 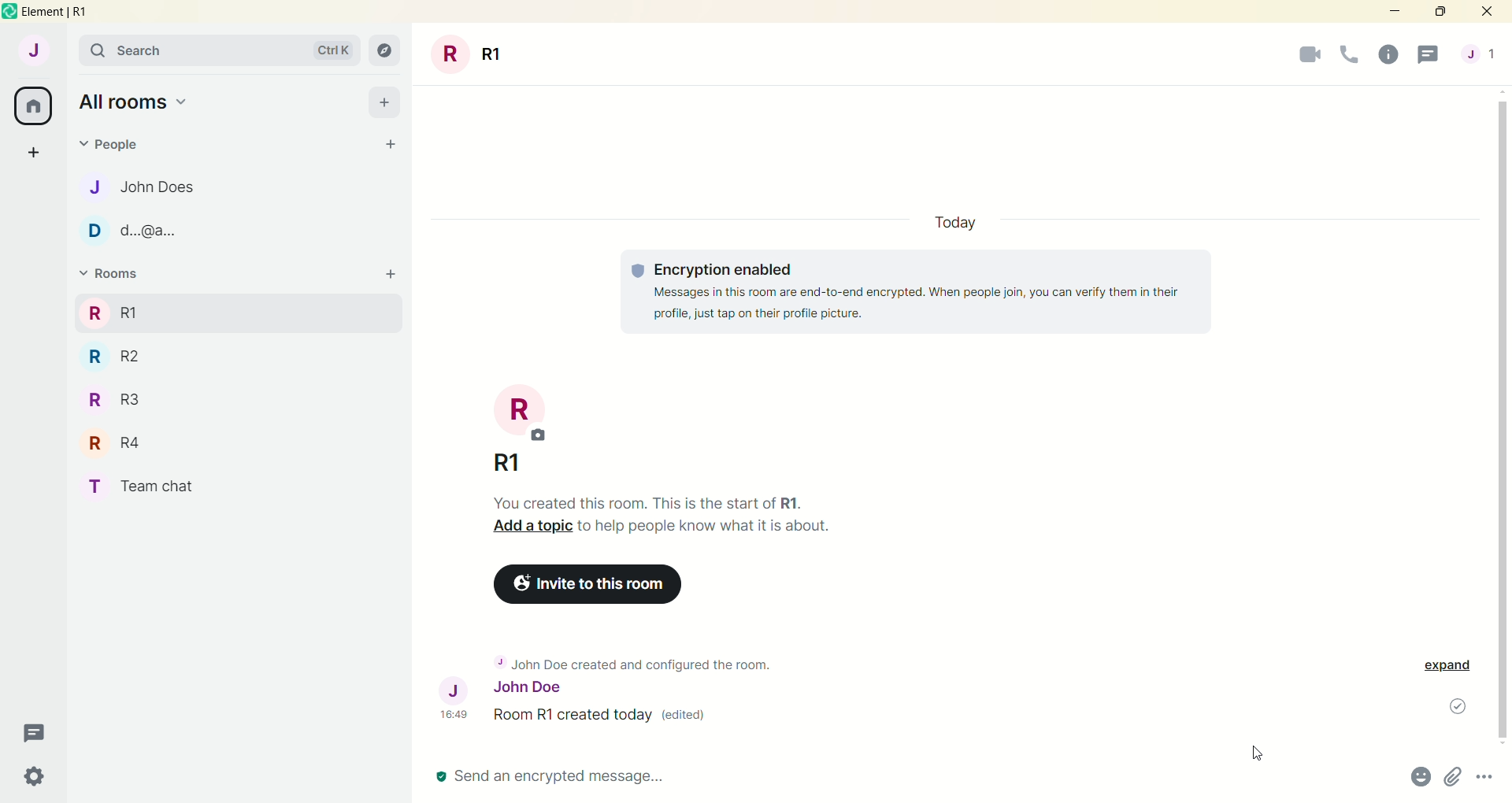 I want to click on rooms, so click(x=117, y=274).